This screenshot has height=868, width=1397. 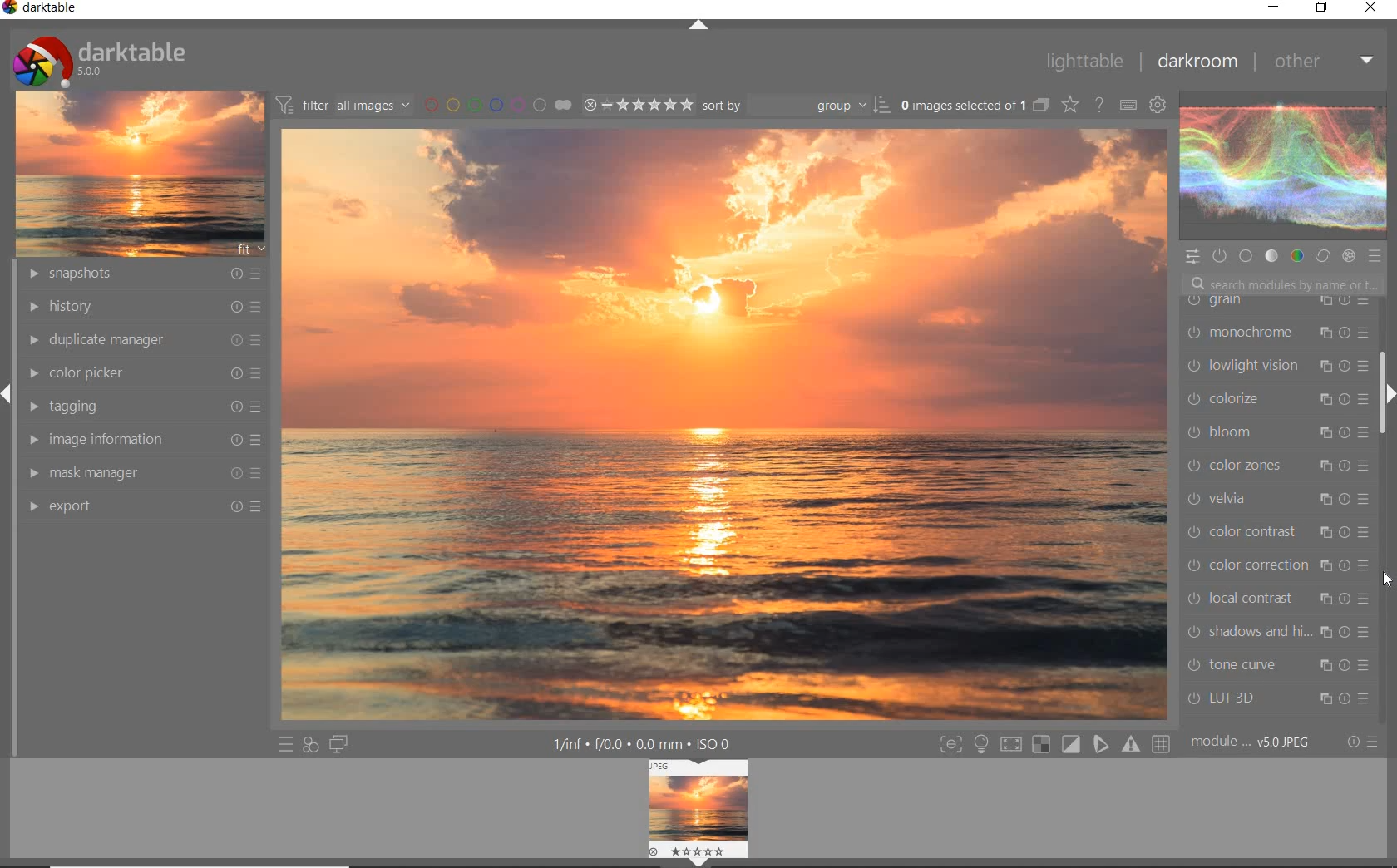 What do you see at coordinates (1274, 306) in the screenshot?
I see `grain` at bounding box center [1274, 306].